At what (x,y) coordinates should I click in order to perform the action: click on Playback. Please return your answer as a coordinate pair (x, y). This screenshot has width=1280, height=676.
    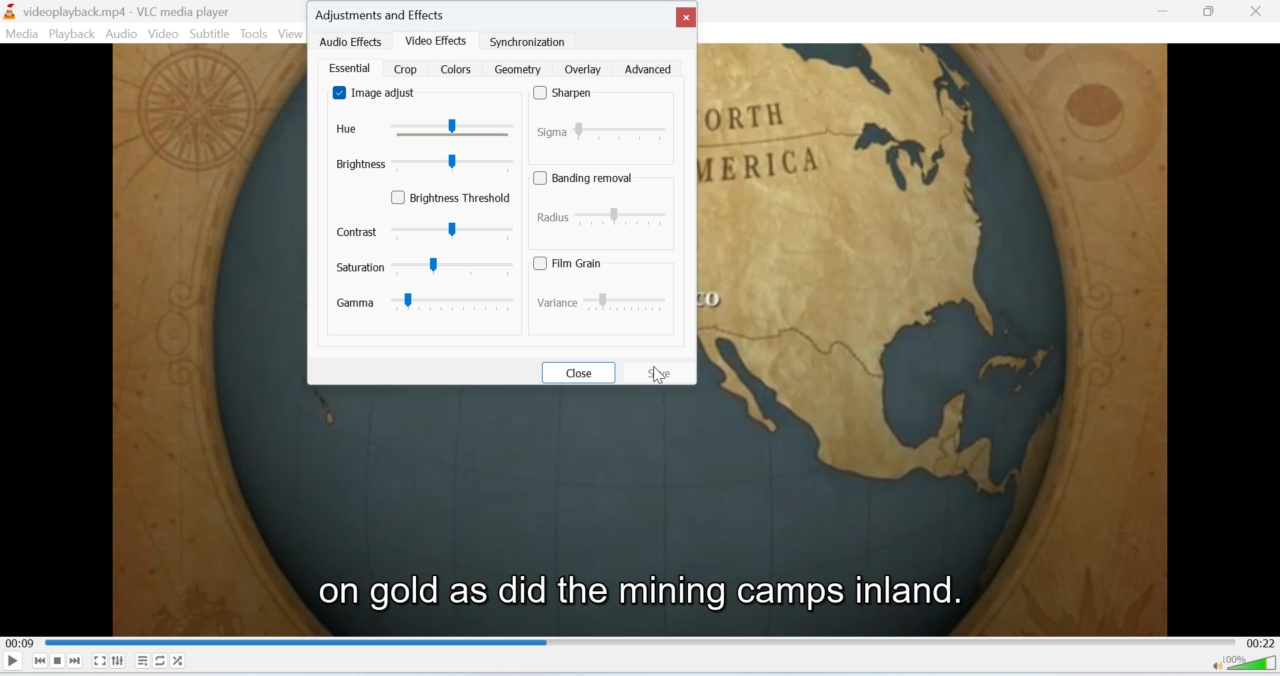
    Looking at the image, I should click on (72, 34).